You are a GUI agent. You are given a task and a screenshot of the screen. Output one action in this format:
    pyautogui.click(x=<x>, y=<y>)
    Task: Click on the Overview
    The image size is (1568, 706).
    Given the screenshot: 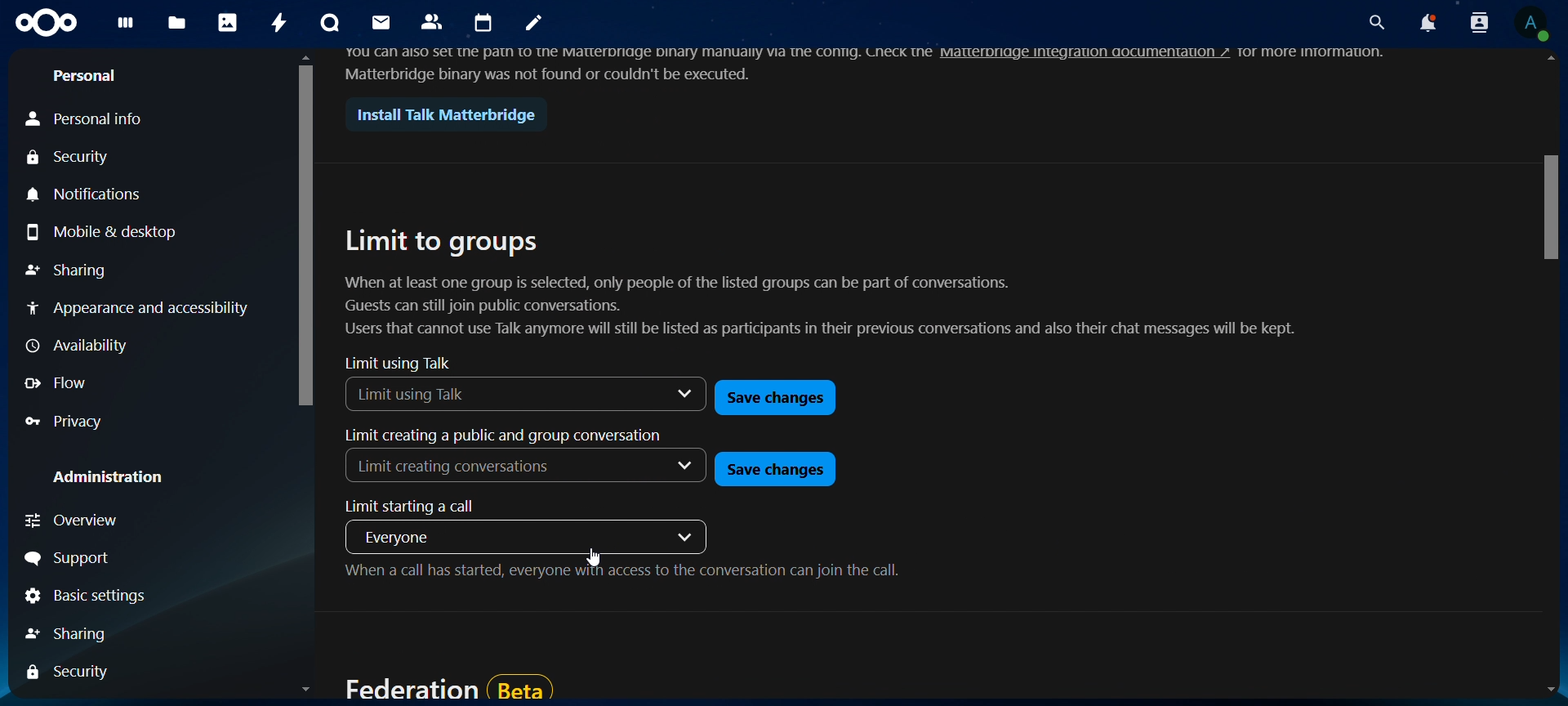 What is the action you would take?
    pyautogui.click(x=149, y=521)
    